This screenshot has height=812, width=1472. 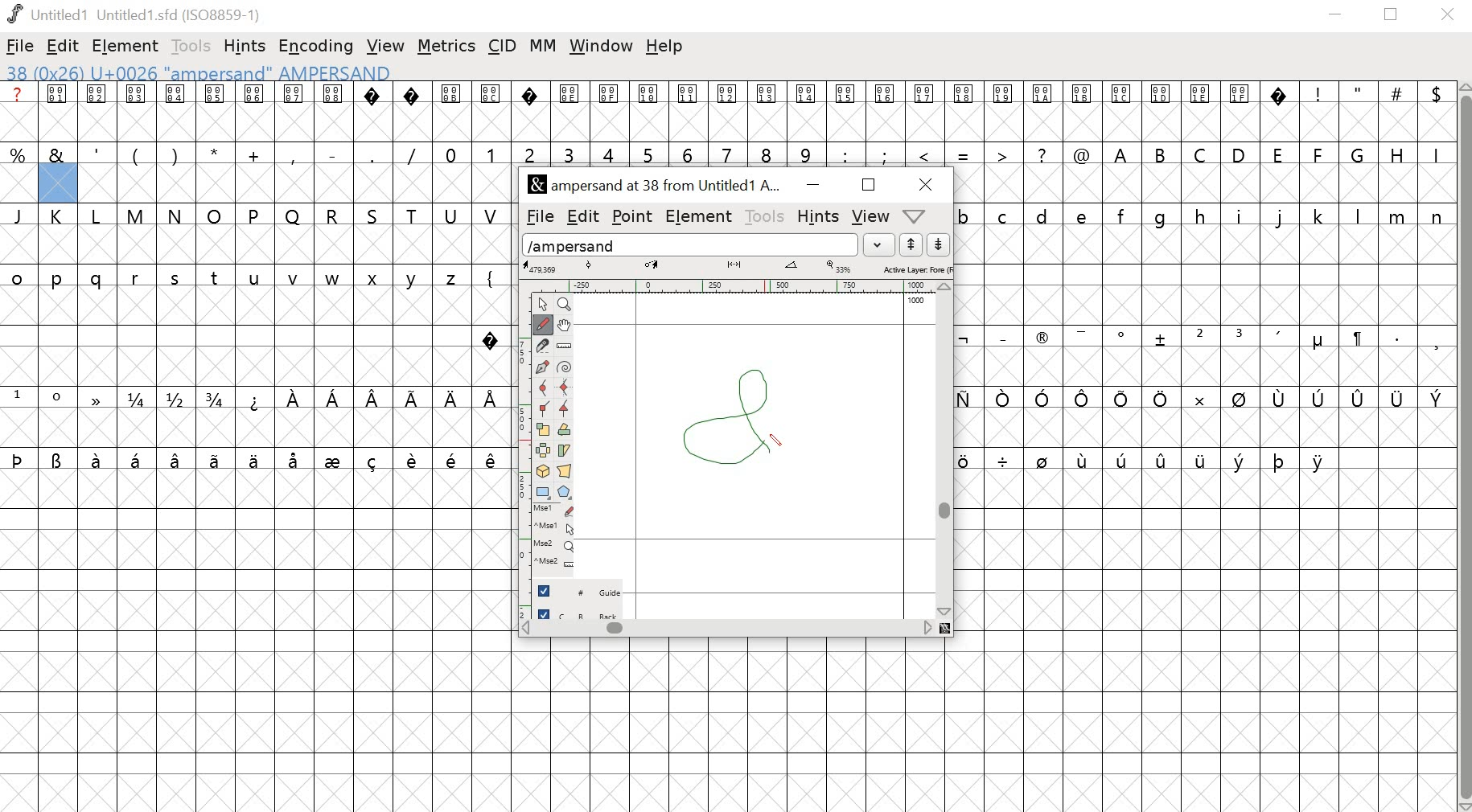 I want to click on angle between points, so click(x=792, y=268).